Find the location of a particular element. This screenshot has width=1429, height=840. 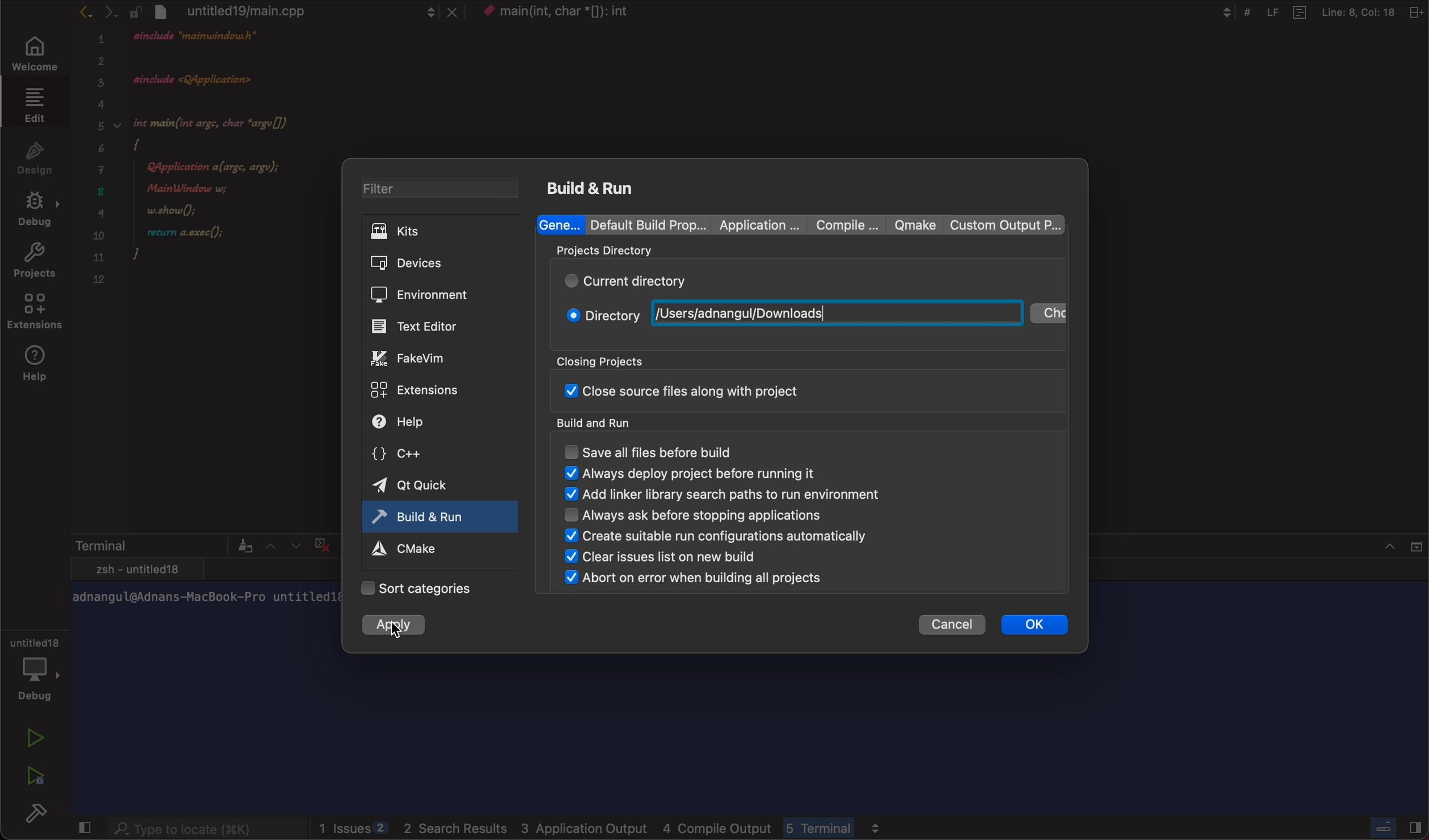

cmake is located at coordinates (410, 548).